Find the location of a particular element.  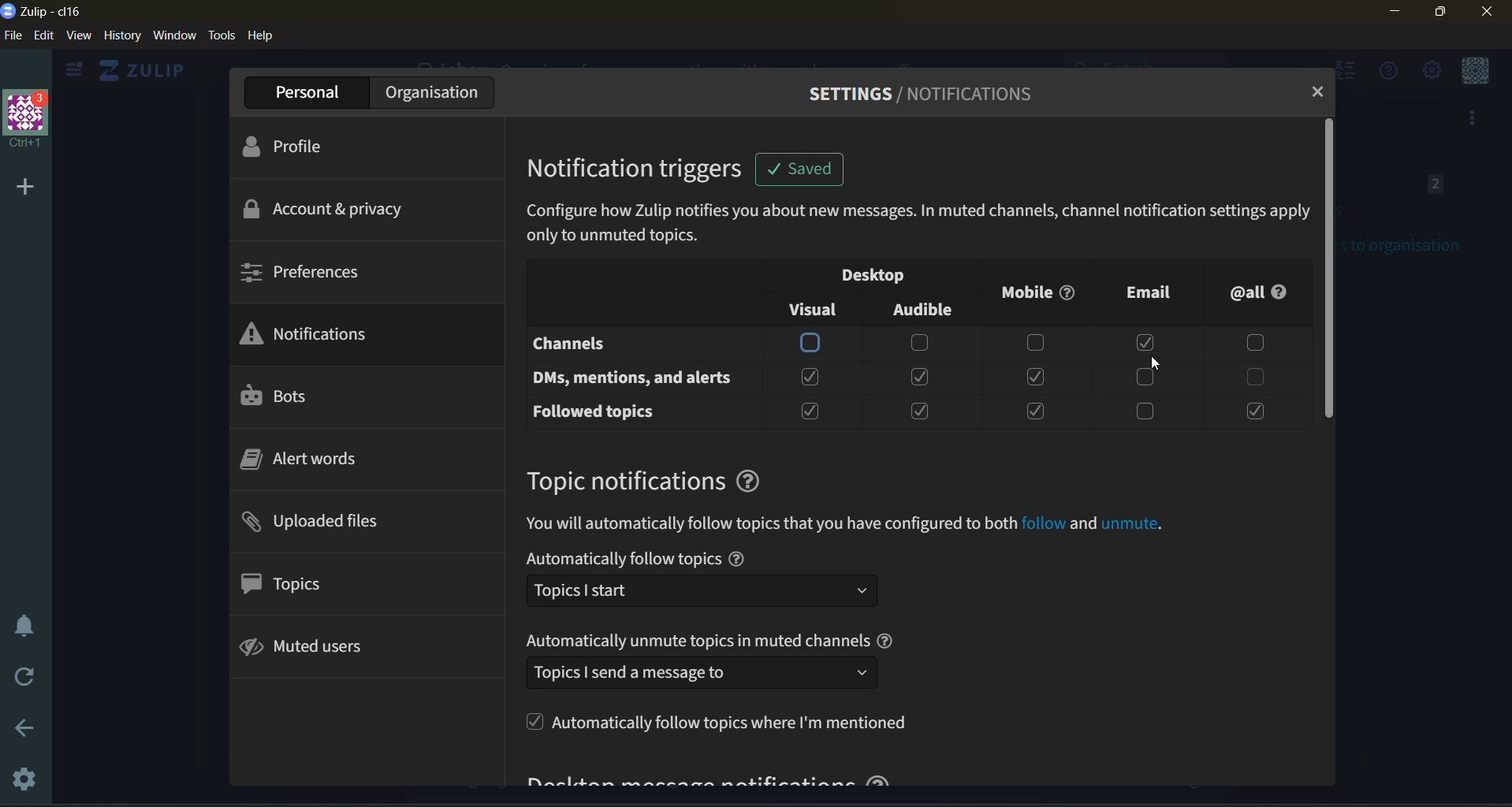

desktop is located at coordinates (884, 277).